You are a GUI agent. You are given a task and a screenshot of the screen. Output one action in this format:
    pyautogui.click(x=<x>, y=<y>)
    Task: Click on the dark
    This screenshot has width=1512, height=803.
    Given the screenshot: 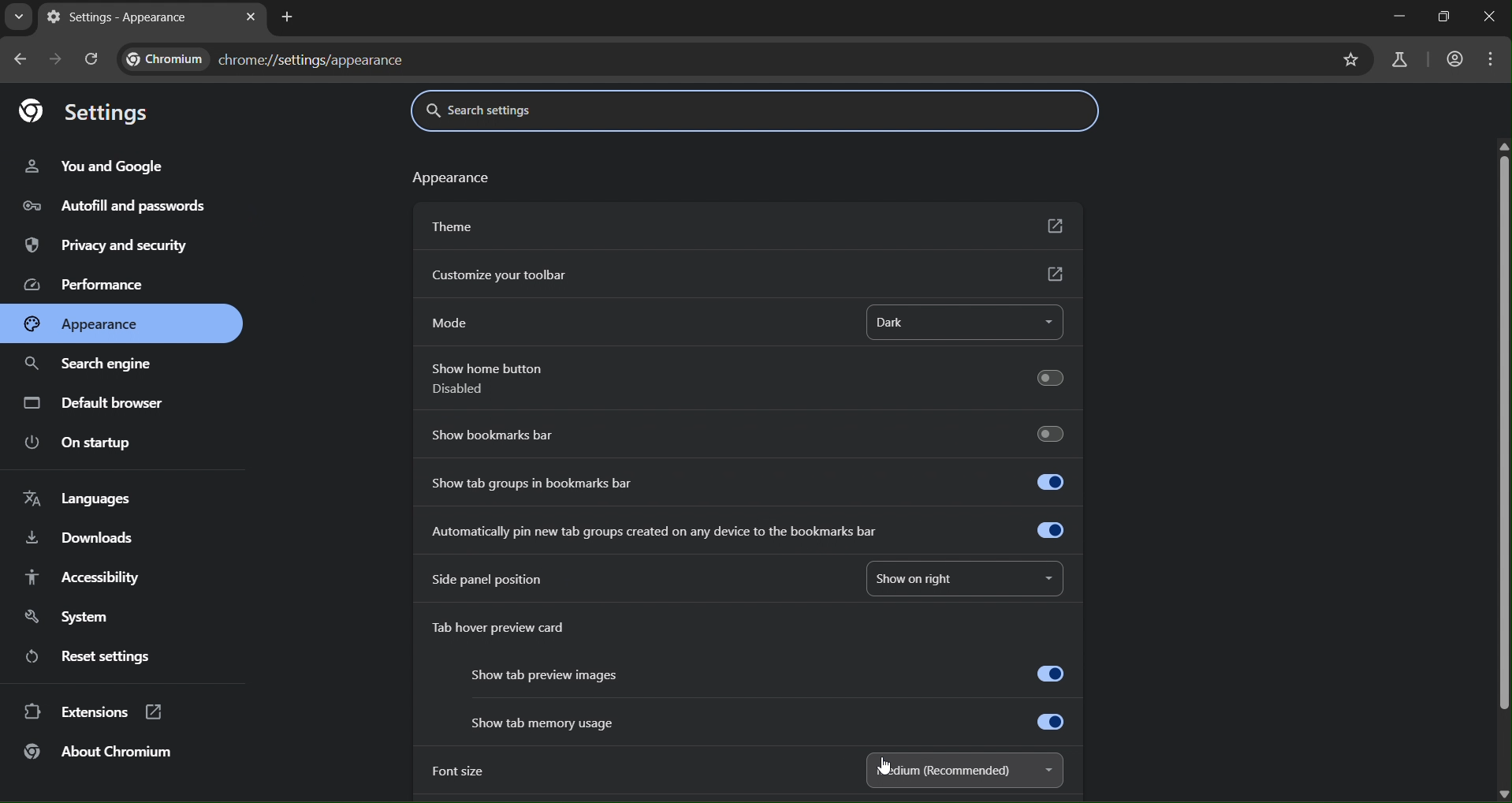 What is the action you would take?
    pyautogui.click(x=938, y=319)
    